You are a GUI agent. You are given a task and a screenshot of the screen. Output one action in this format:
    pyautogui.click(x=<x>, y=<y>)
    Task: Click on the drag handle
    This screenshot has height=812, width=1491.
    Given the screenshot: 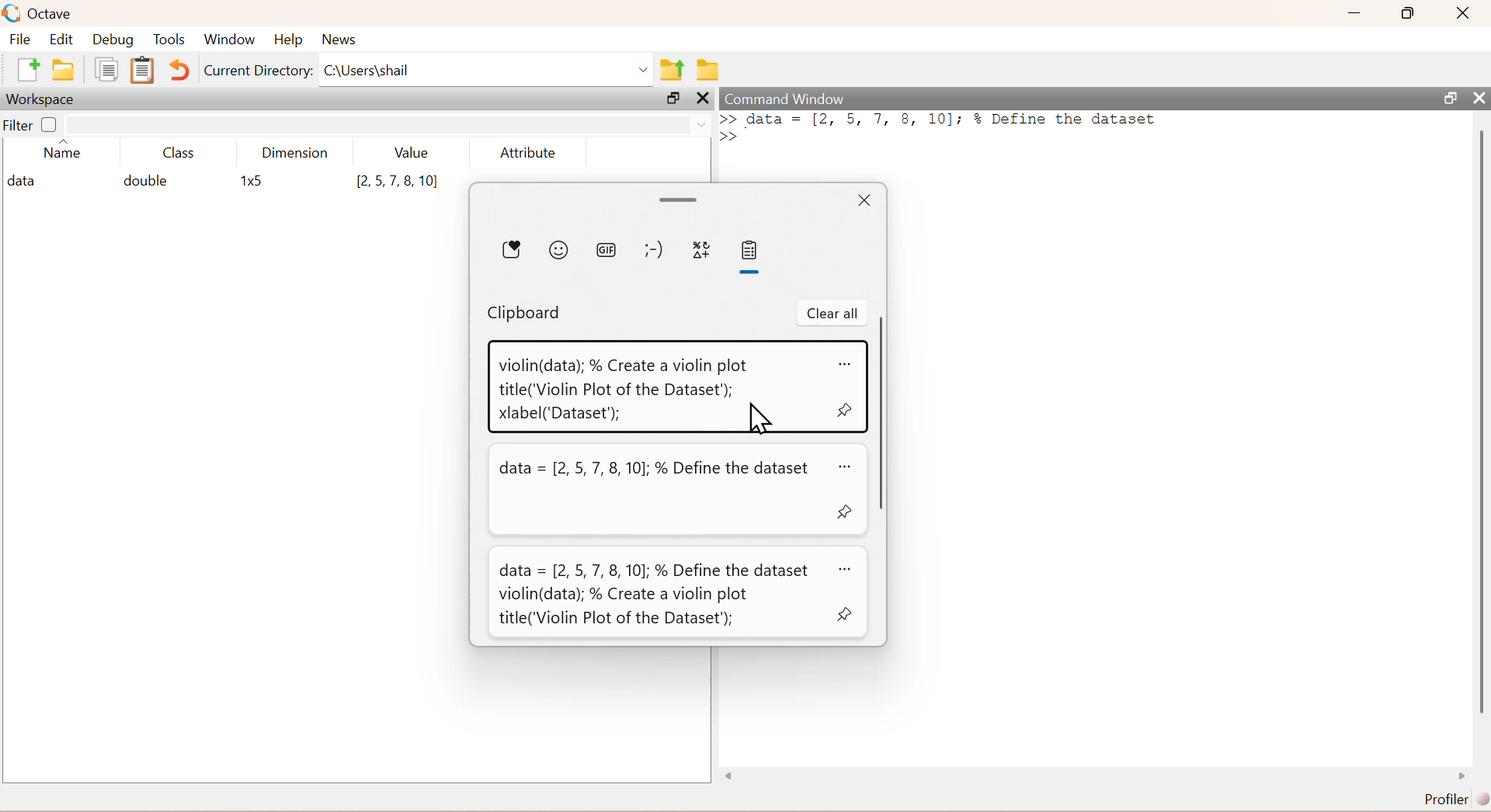 What is the action you would take?
    pyautogui.click(x=680, y=201)
    